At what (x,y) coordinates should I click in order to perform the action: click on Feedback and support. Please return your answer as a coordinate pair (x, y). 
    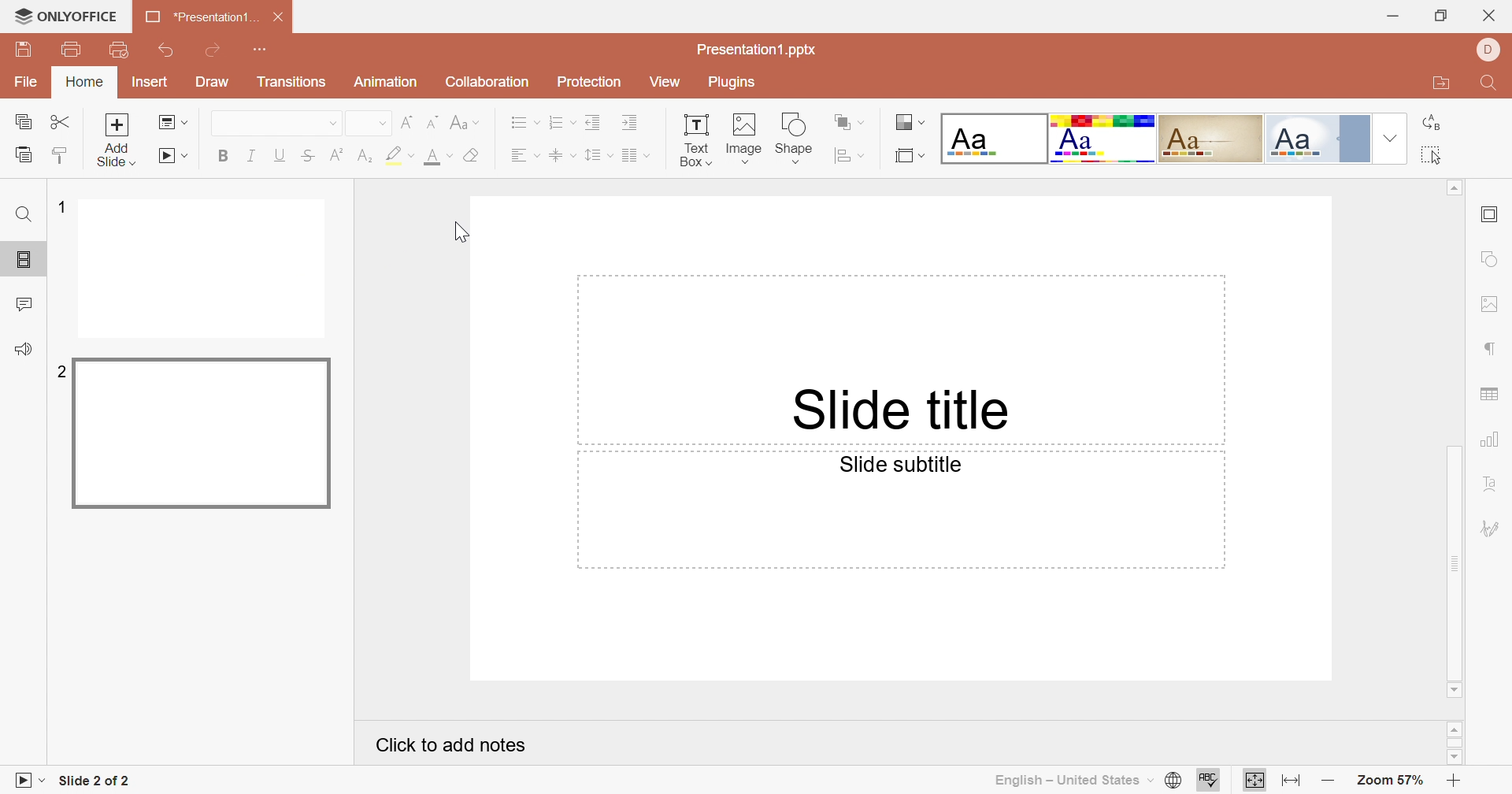
    Looking at the image, I should click on (26, 347).